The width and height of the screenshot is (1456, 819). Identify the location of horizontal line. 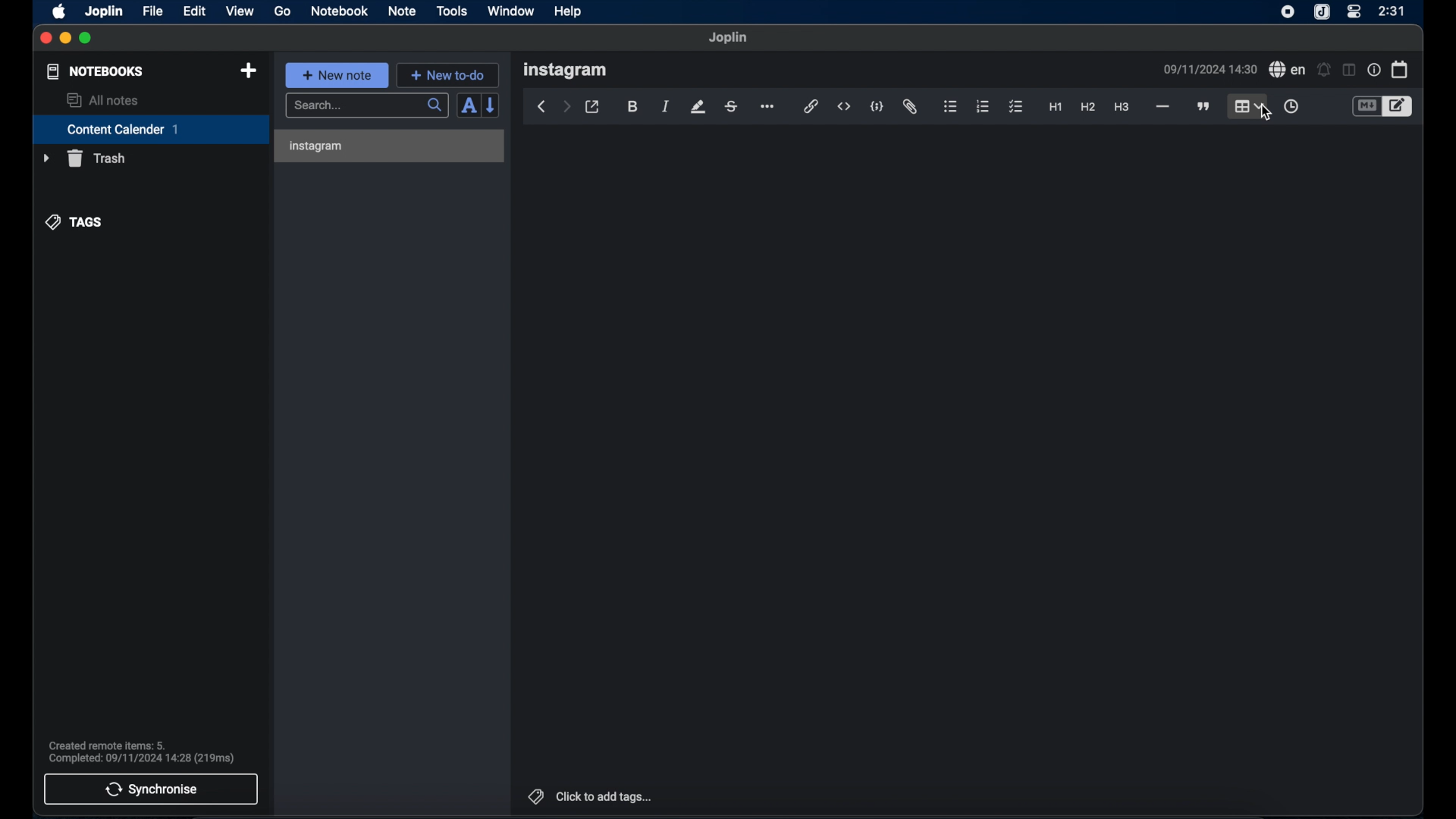
(1163, 108).